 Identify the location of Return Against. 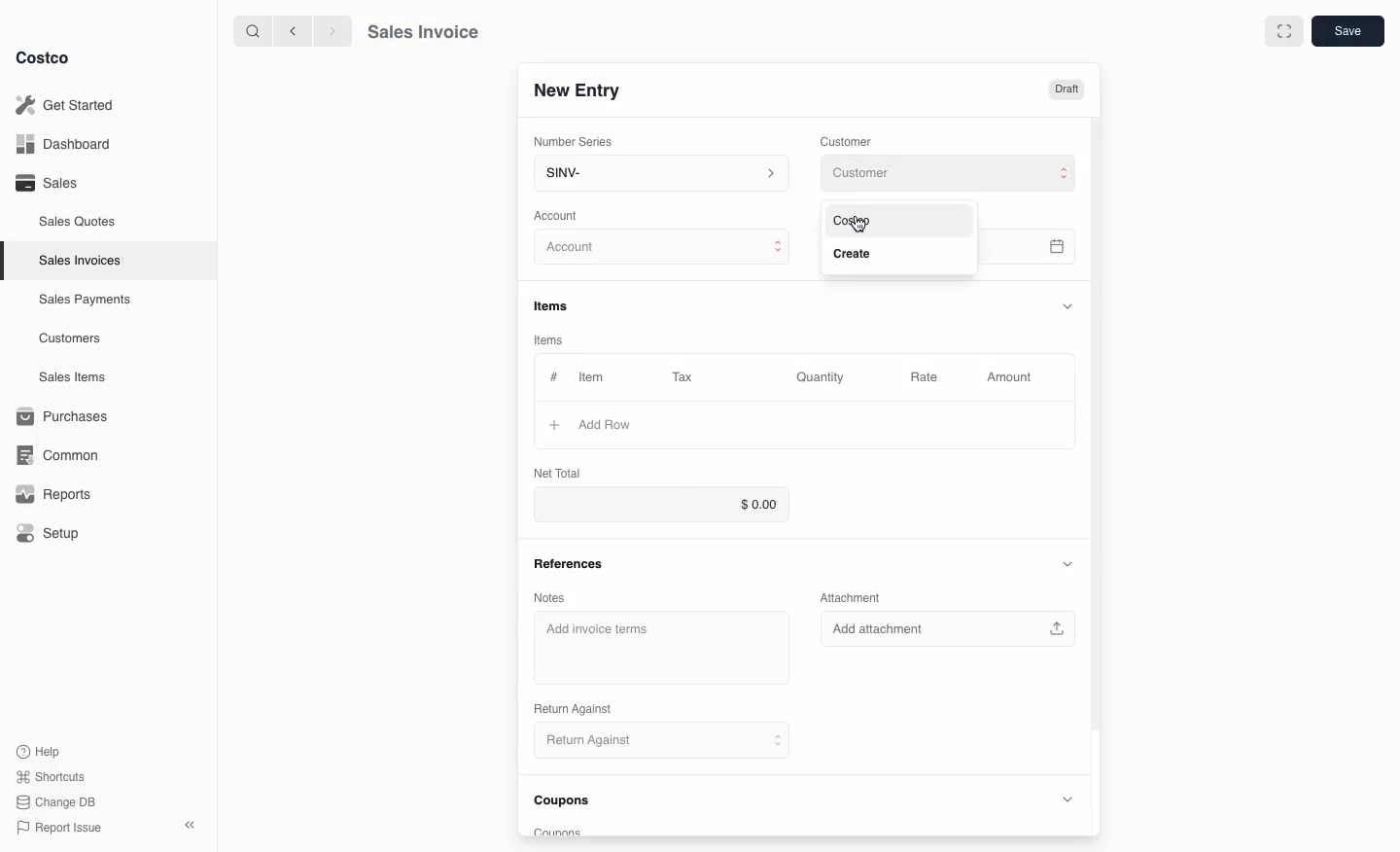
(651, 741).